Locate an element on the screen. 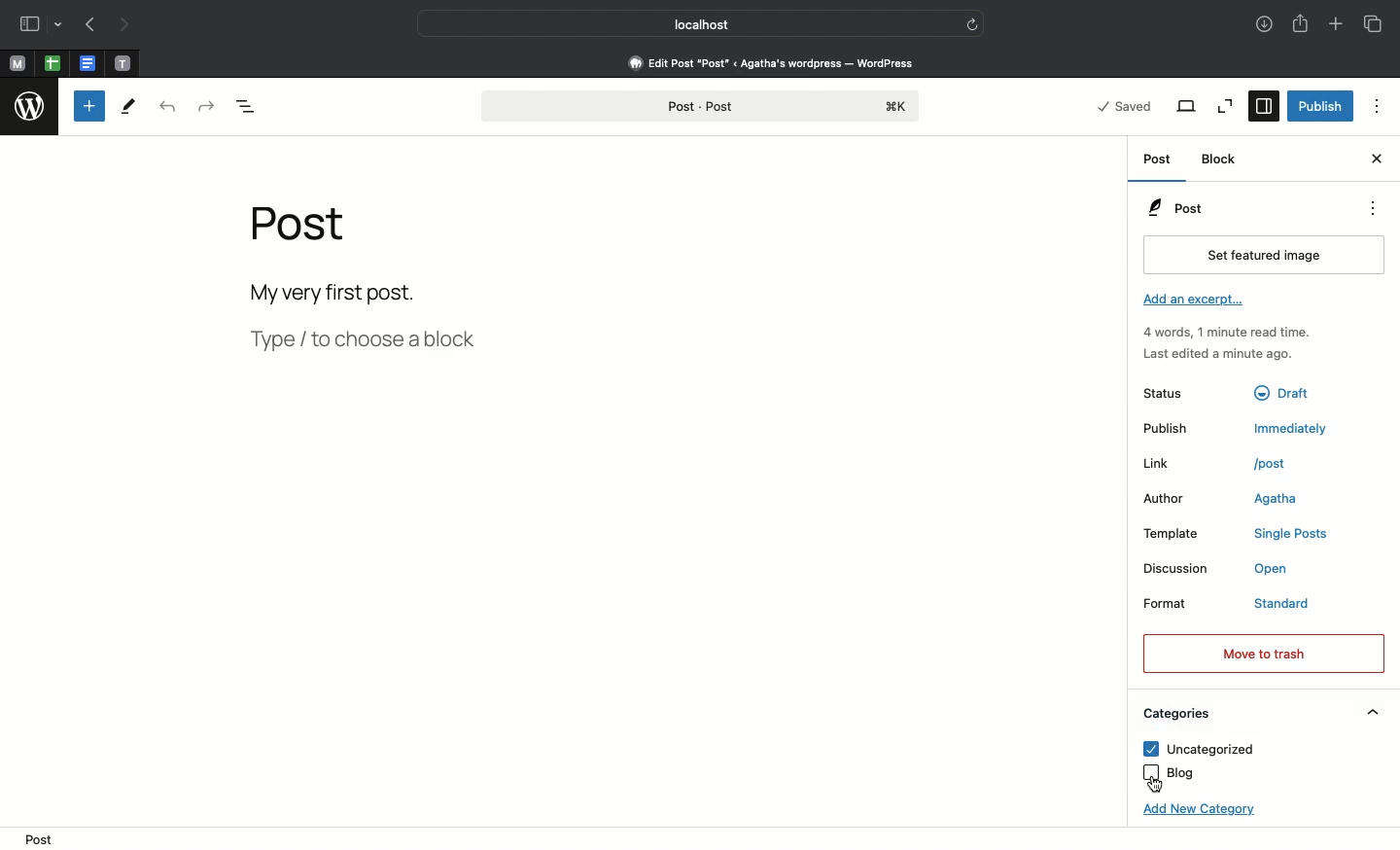 This screenshot has height=850, width=1400. Edit Post "Post" < Agatha's wordpress — WordPress is located at coordinates (771, 62).